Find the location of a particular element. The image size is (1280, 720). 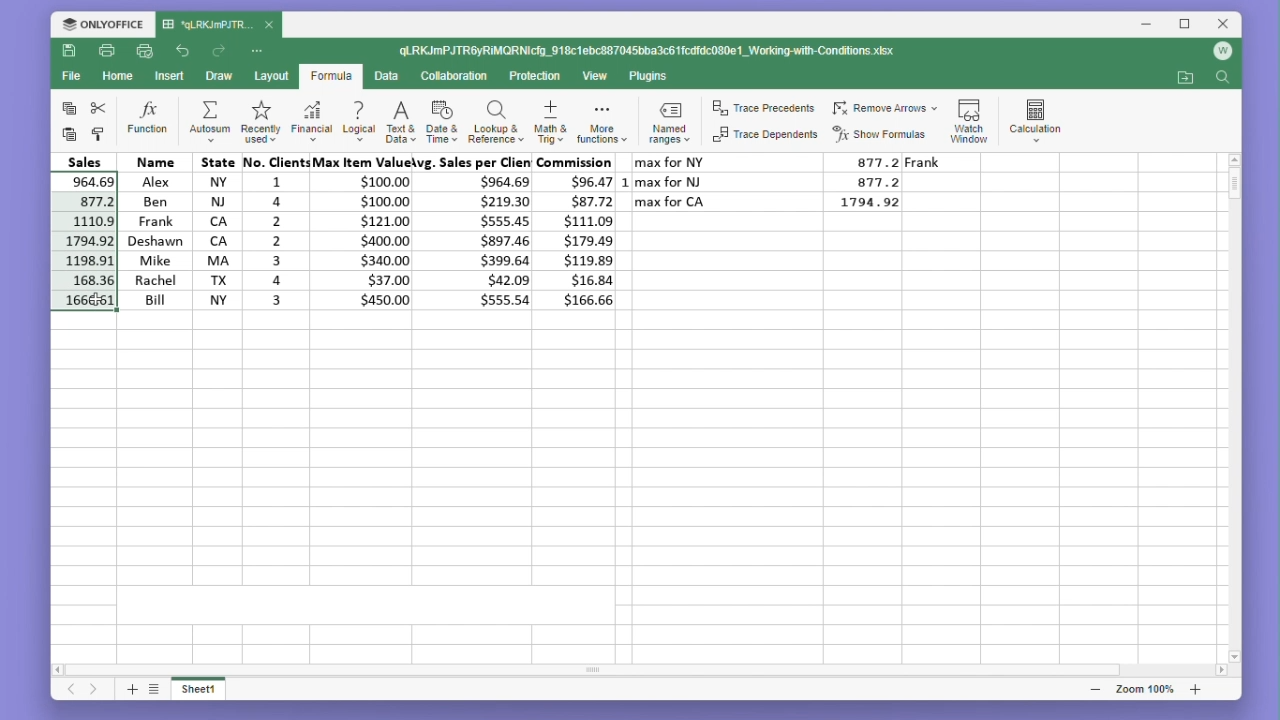

Print file is located at coordinates (106, 50).